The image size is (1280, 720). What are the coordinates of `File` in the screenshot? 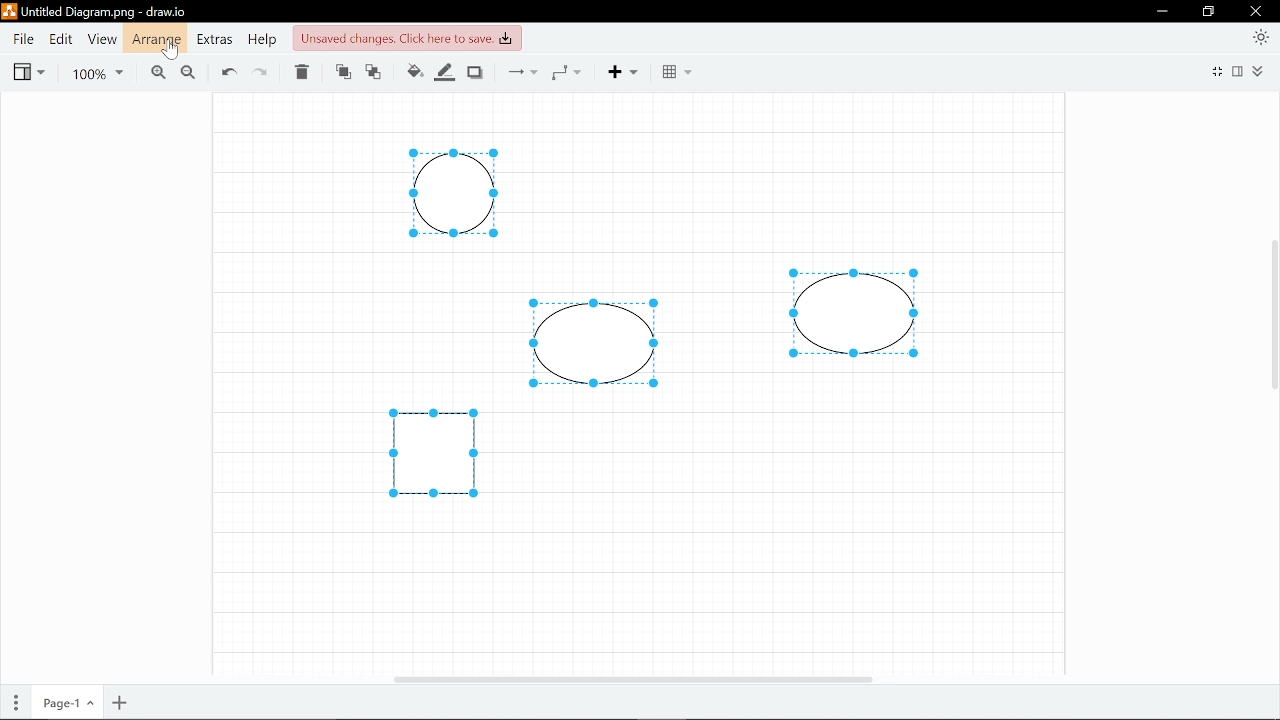 It's located at (23, 39).